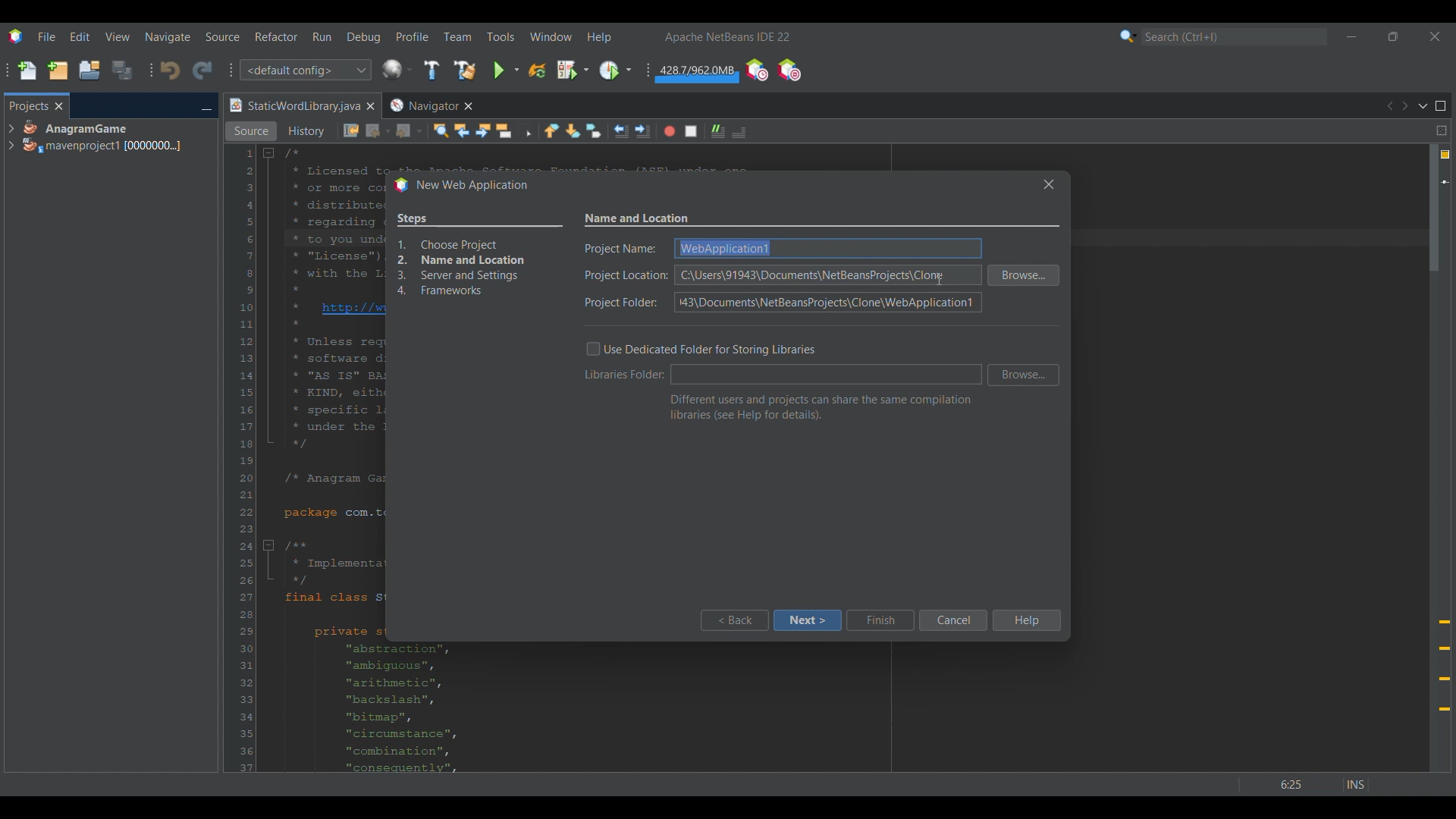  Describe the element at coordinates (27, 71) in the screenshot. I see `New file` at that location.